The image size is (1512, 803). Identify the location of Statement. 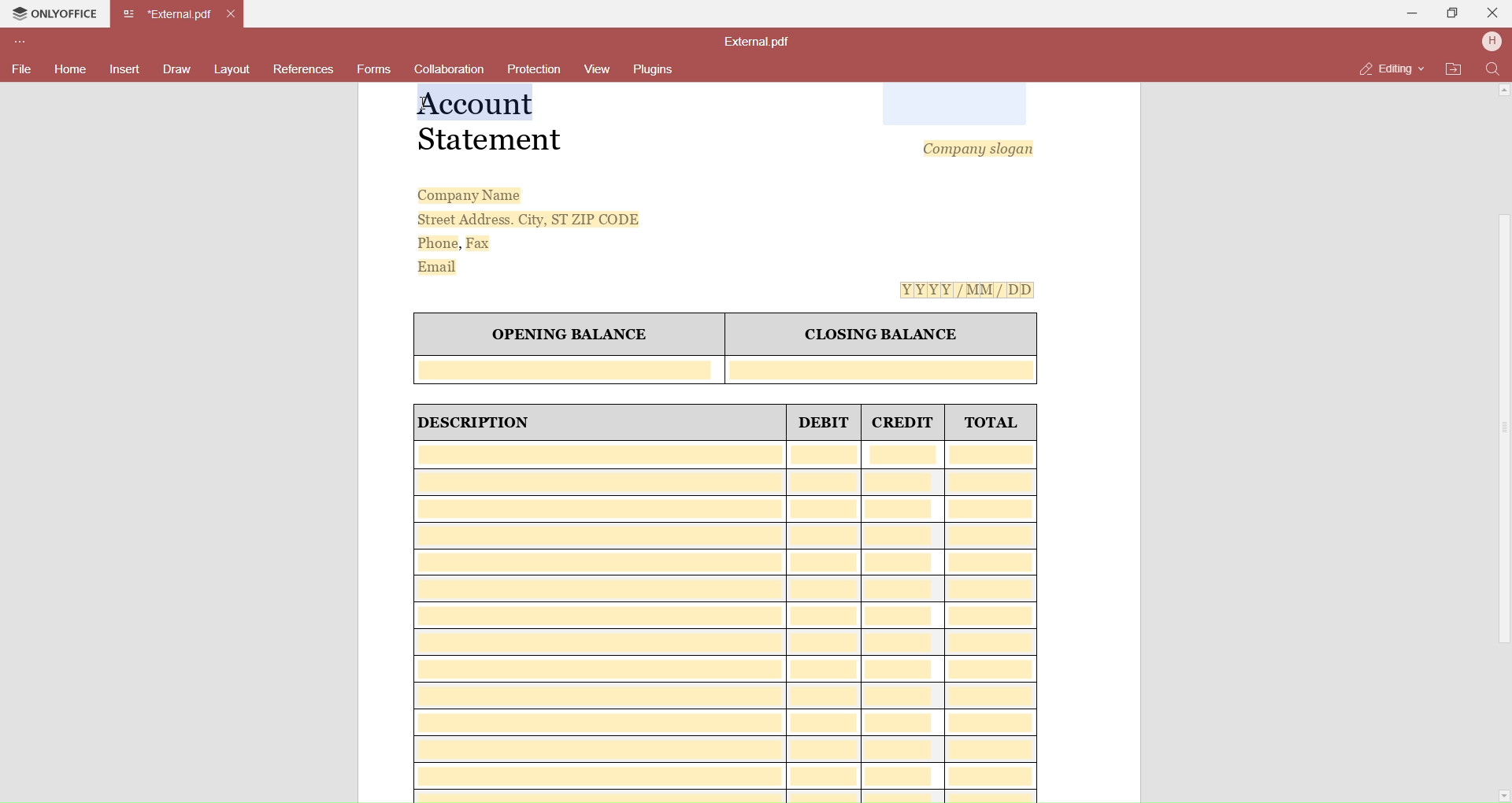
(491, 142).